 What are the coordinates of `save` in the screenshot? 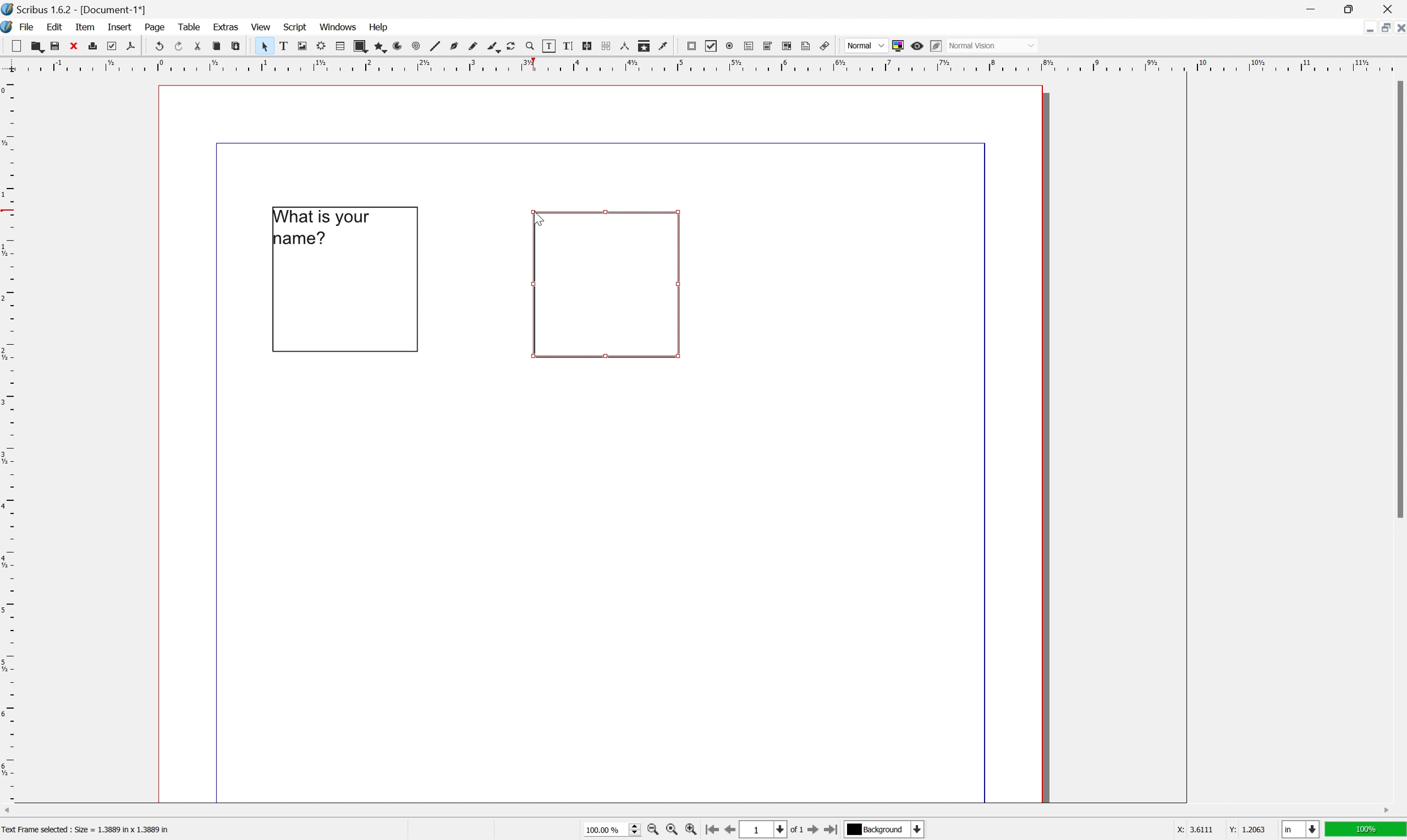 It's located at (55, 46).